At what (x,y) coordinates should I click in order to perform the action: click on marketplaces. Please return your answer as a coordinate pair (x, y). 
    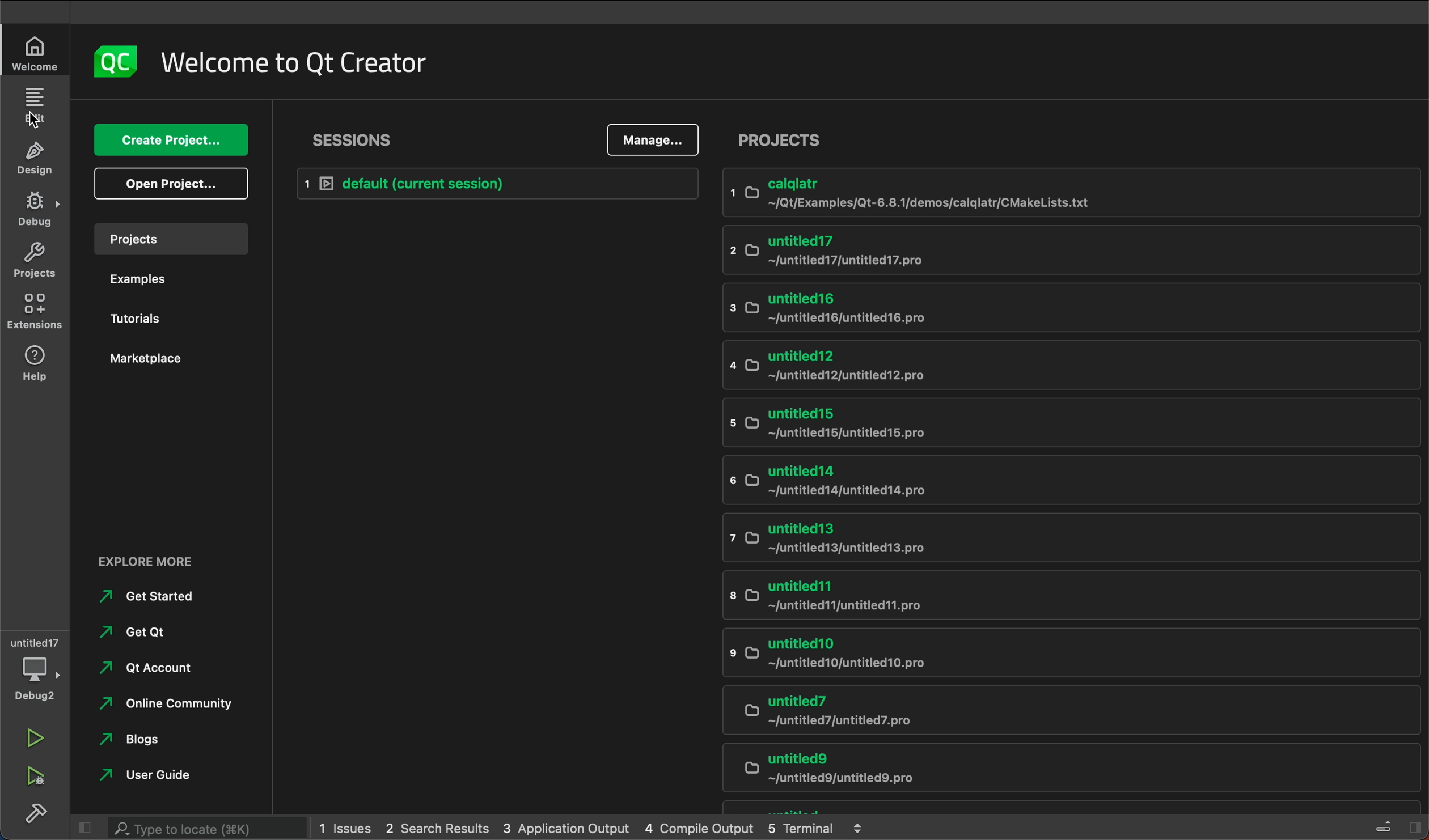
    Looking at the image, I should click on (171, 361).